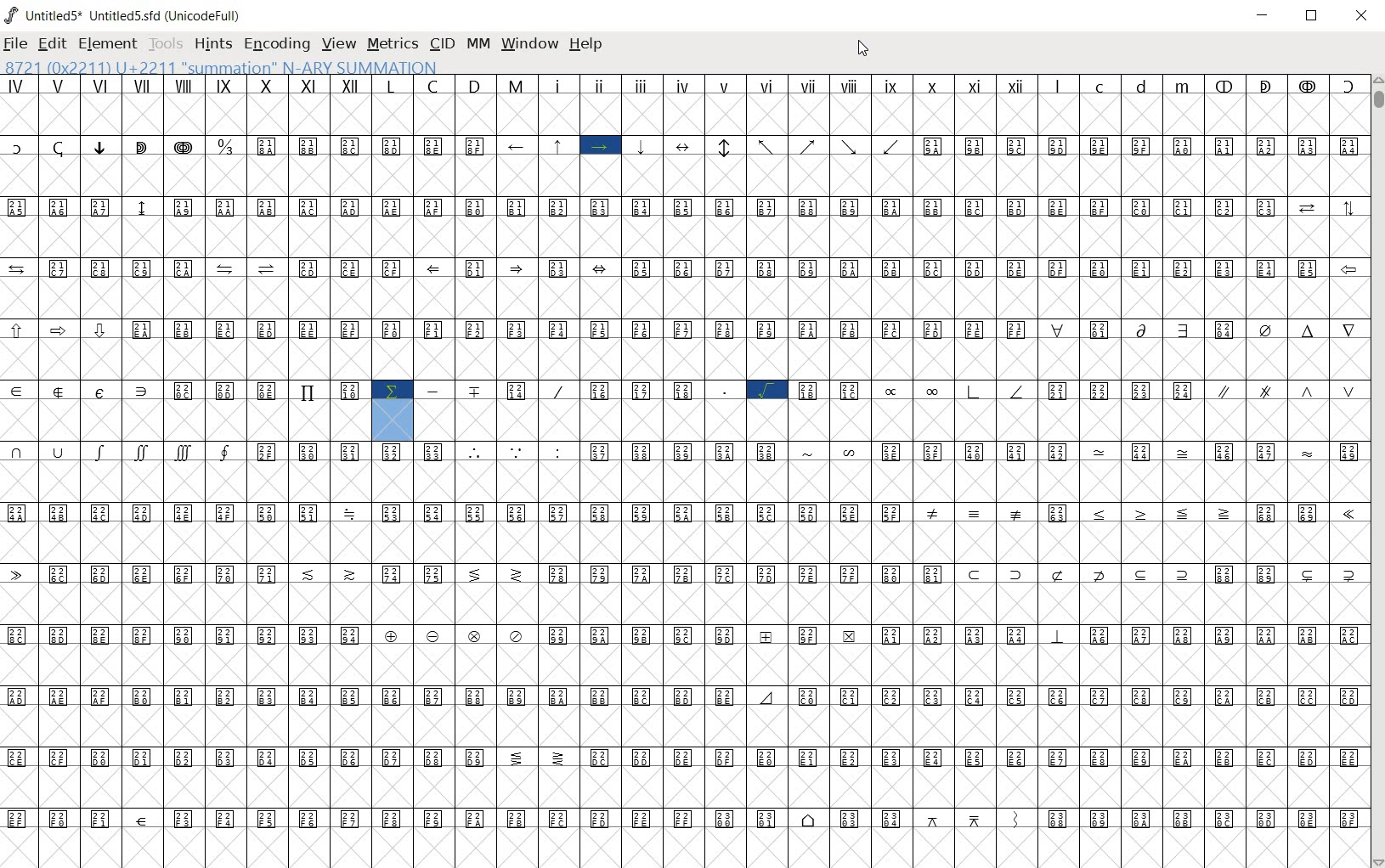 Image resolution: width=1385 pixels, height=868 pixels. What do you see at coordinates (791, 83) in the screenshot?
I see `roman numerals` at bounding box center [791, 83].